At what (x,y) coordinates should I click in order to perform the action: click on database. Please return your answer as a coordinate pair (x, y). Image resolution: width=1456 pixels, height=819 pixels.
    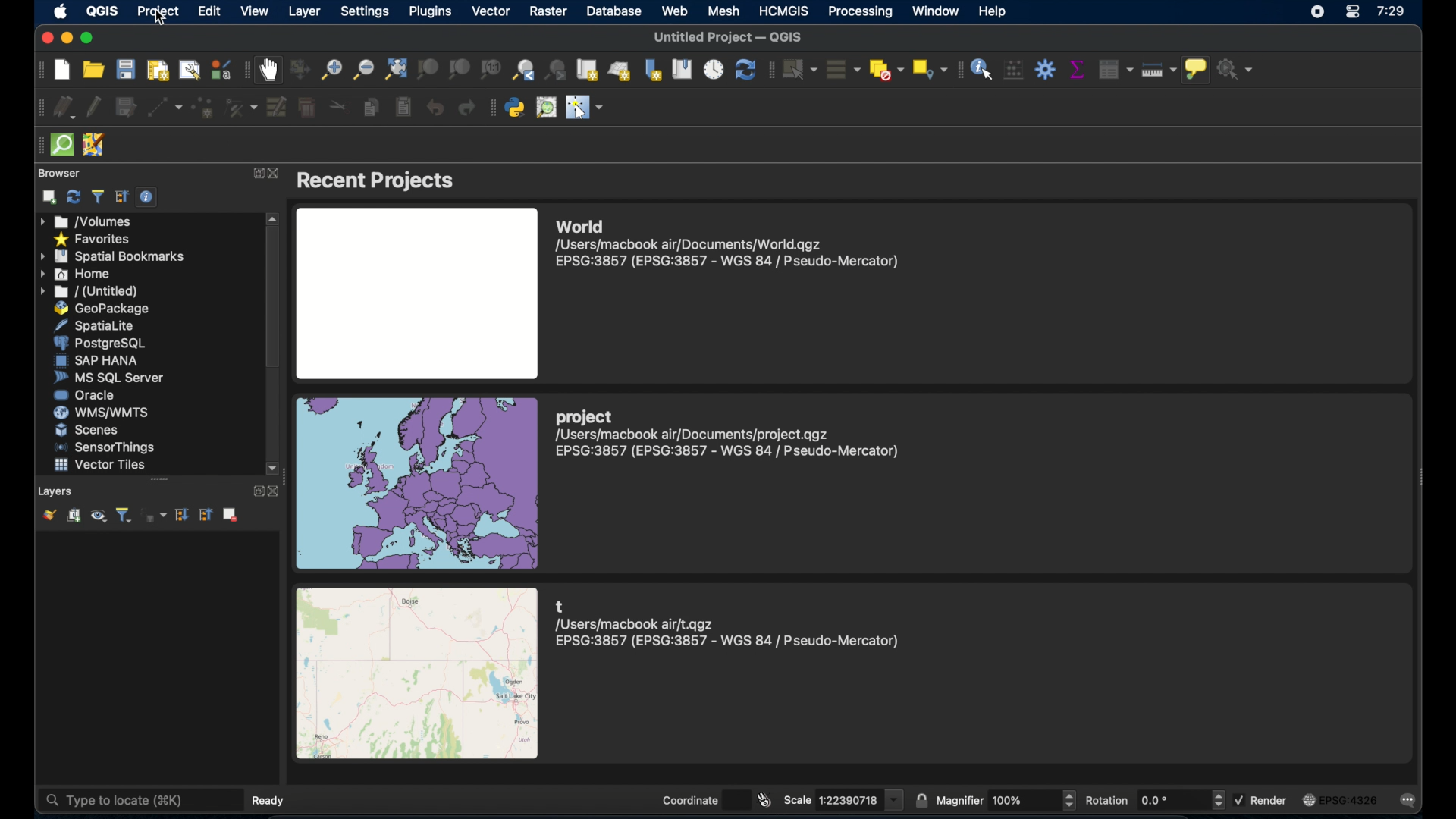
    Looking at the image, I should click on (616, 12).